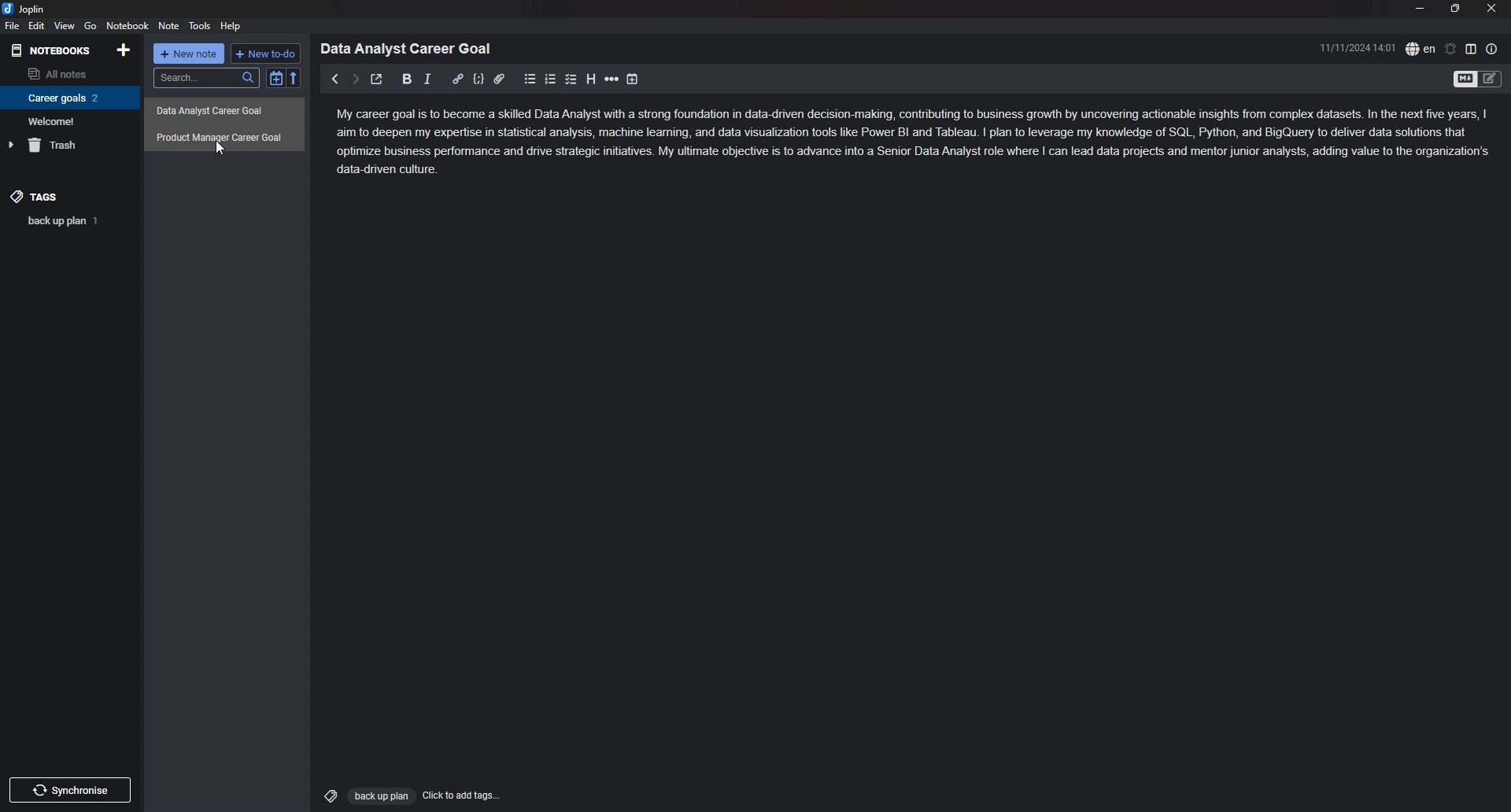 The width and height of the screenshot is (1511, 812). I want to click on toggle sort order, so click(275, 78).